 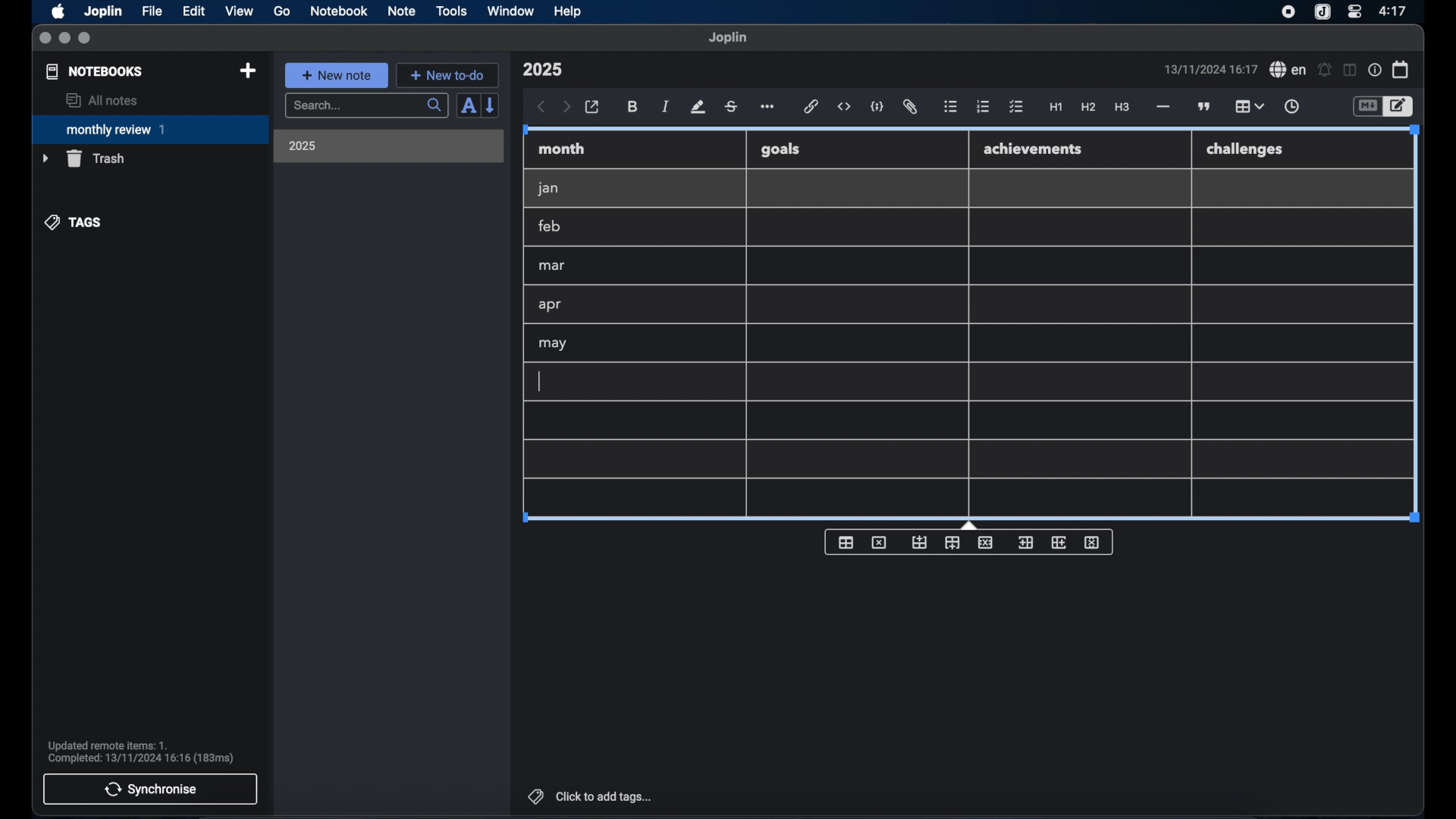 I want to click on sync notification, so click(x=141, y=752).